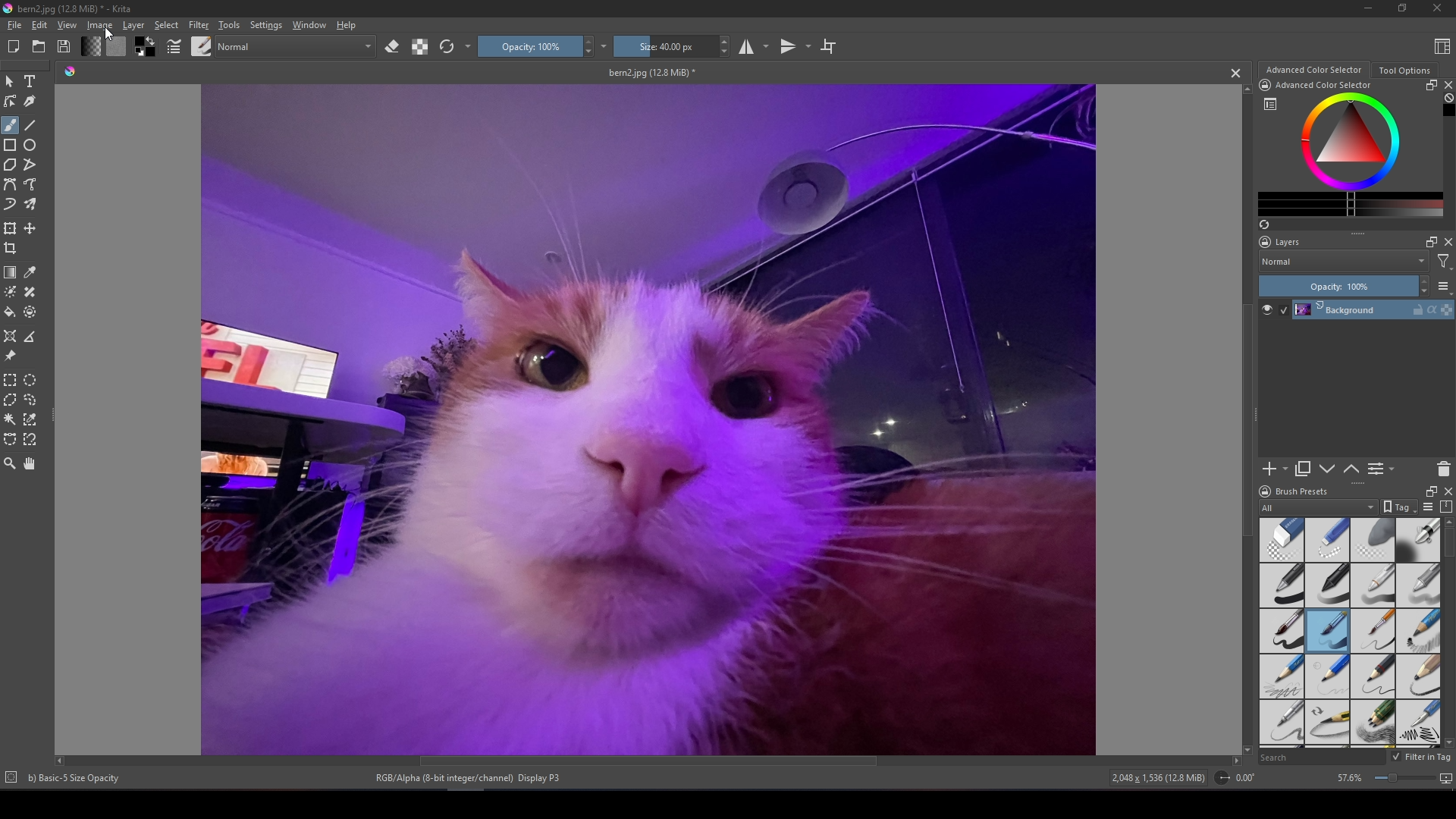 The image size is (1456, 819). I want to click on Tools, so click(230, 25).